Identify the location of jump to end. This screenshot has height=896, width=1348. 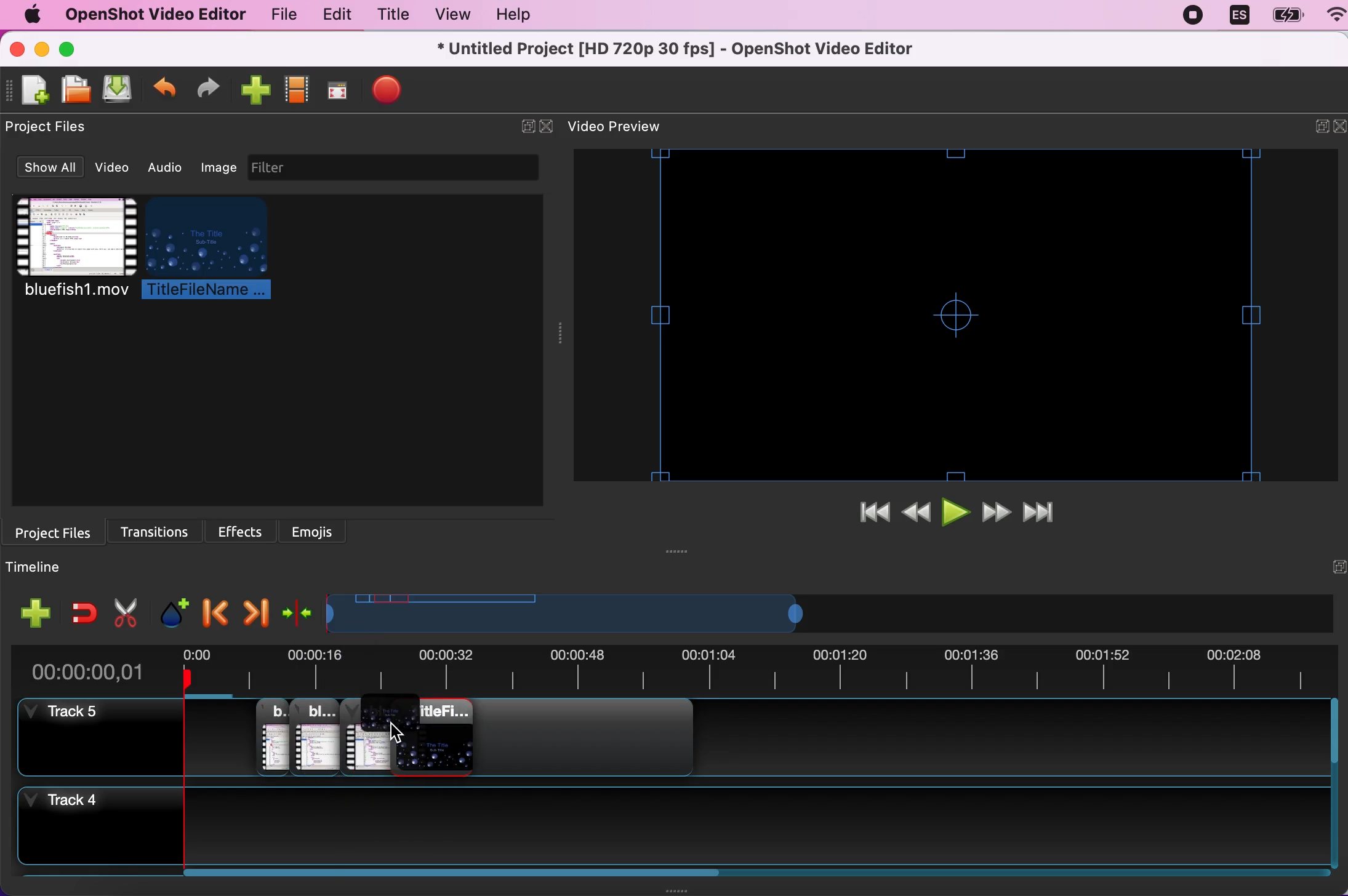
(1046, 514).